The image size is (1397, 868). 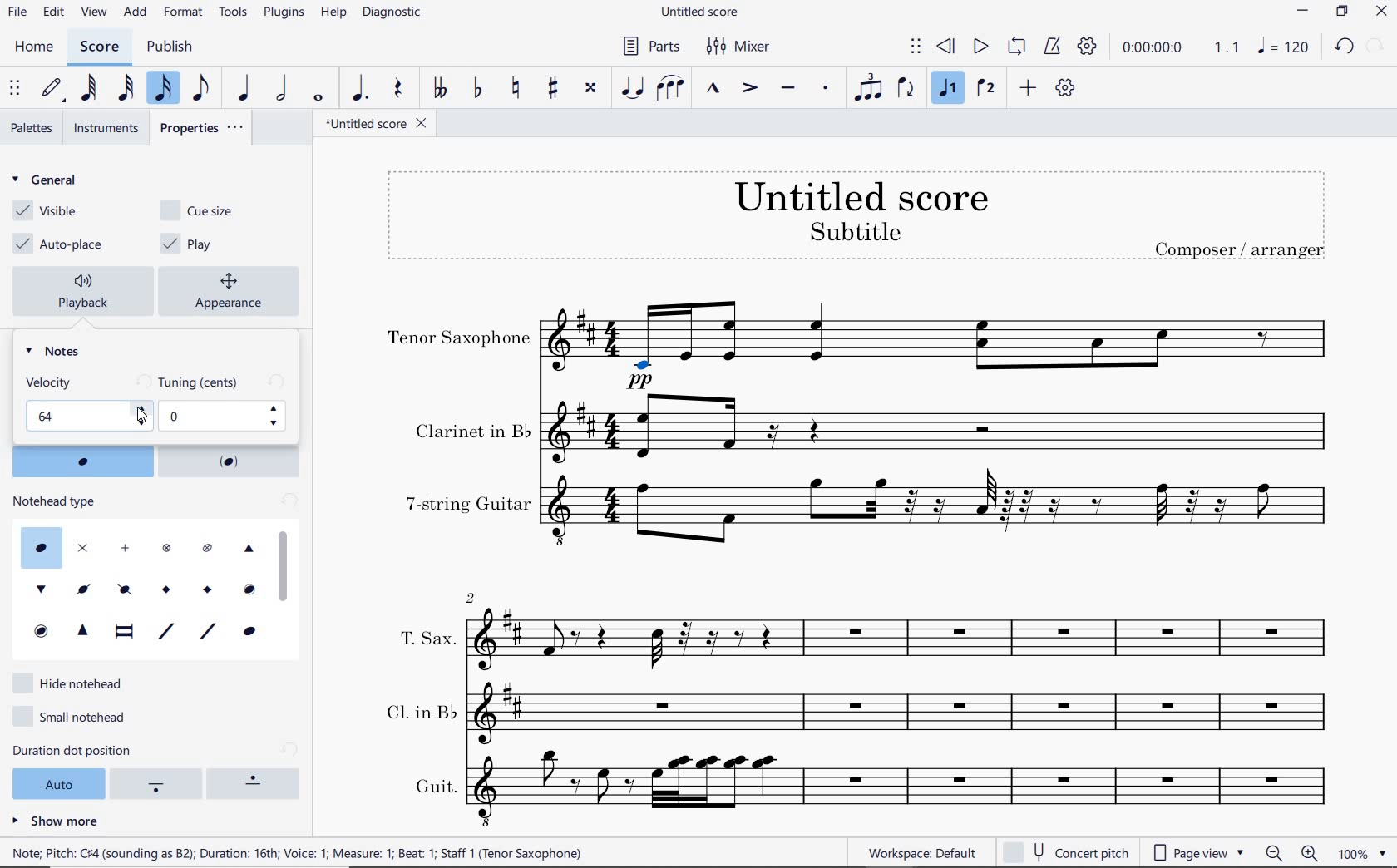 What do you see at coordinates (288, 502) in the screenshot?
I see `reset` at bounding box center [288, 502].